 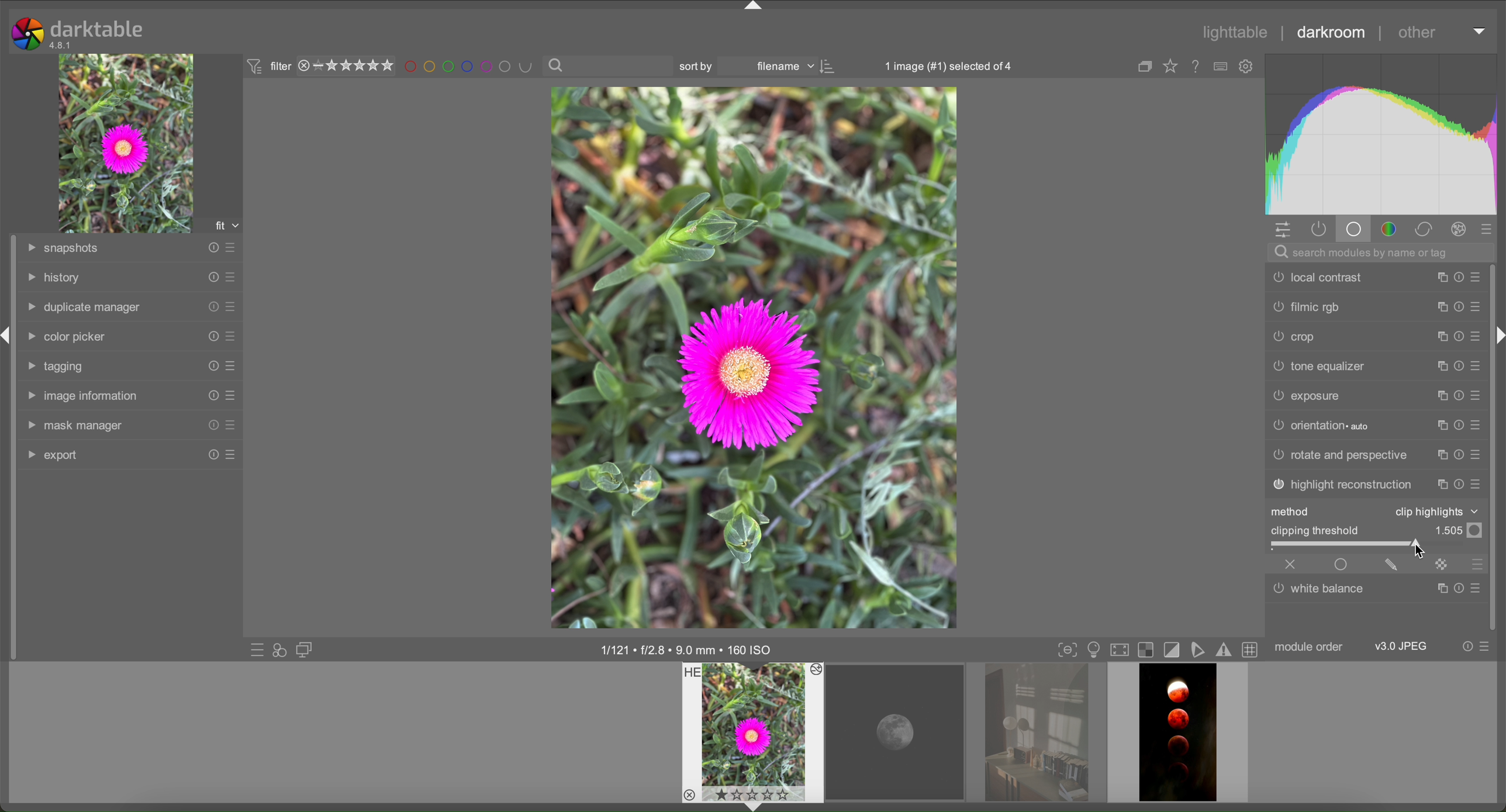 What do you see at coordinates (81, 396) in the screenshot?
I see `image information tab` at bounding box center [81, 396].